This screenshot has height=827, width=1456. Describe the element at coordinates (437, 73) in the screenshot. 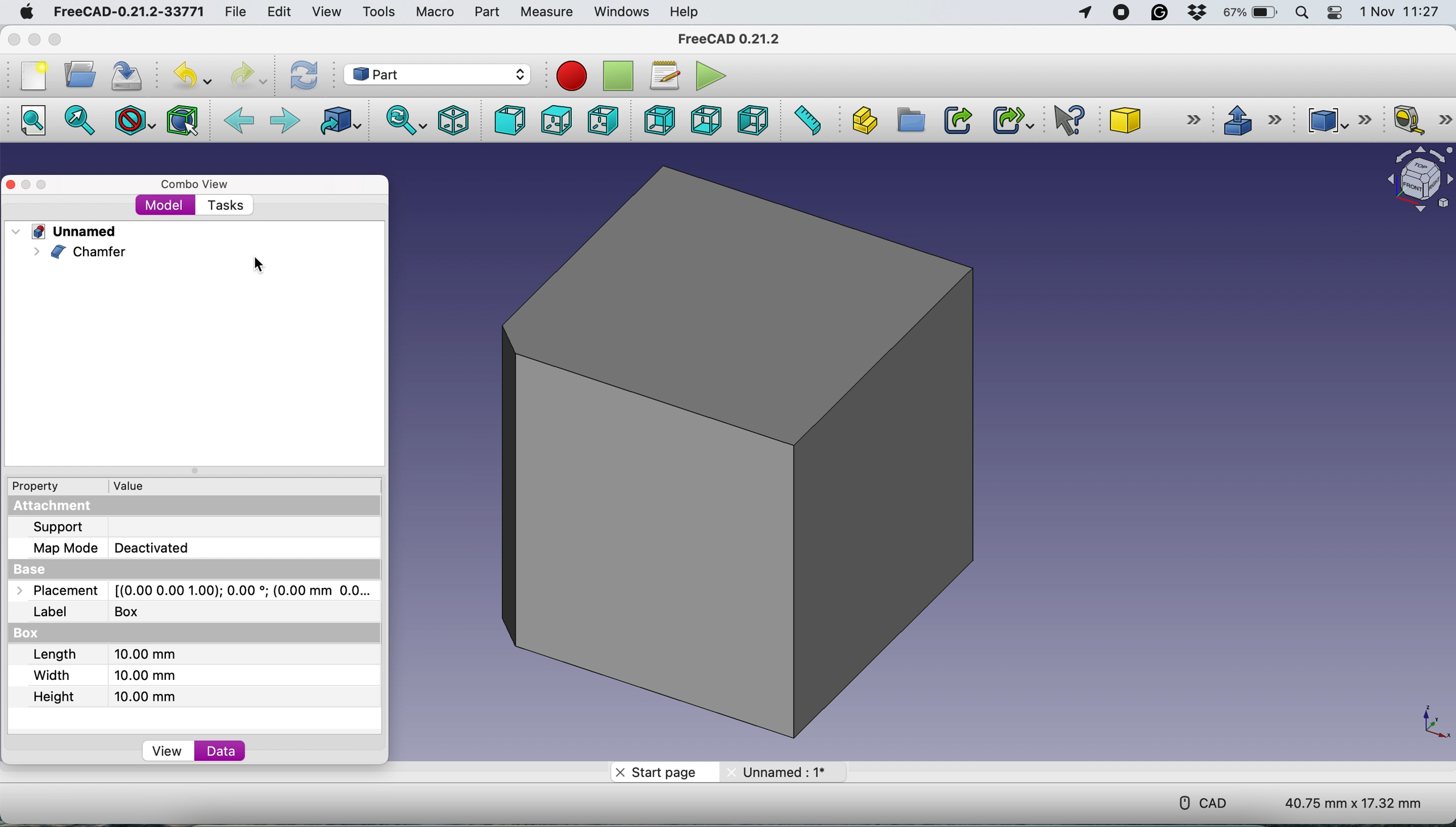

I see `work bench` at that location.